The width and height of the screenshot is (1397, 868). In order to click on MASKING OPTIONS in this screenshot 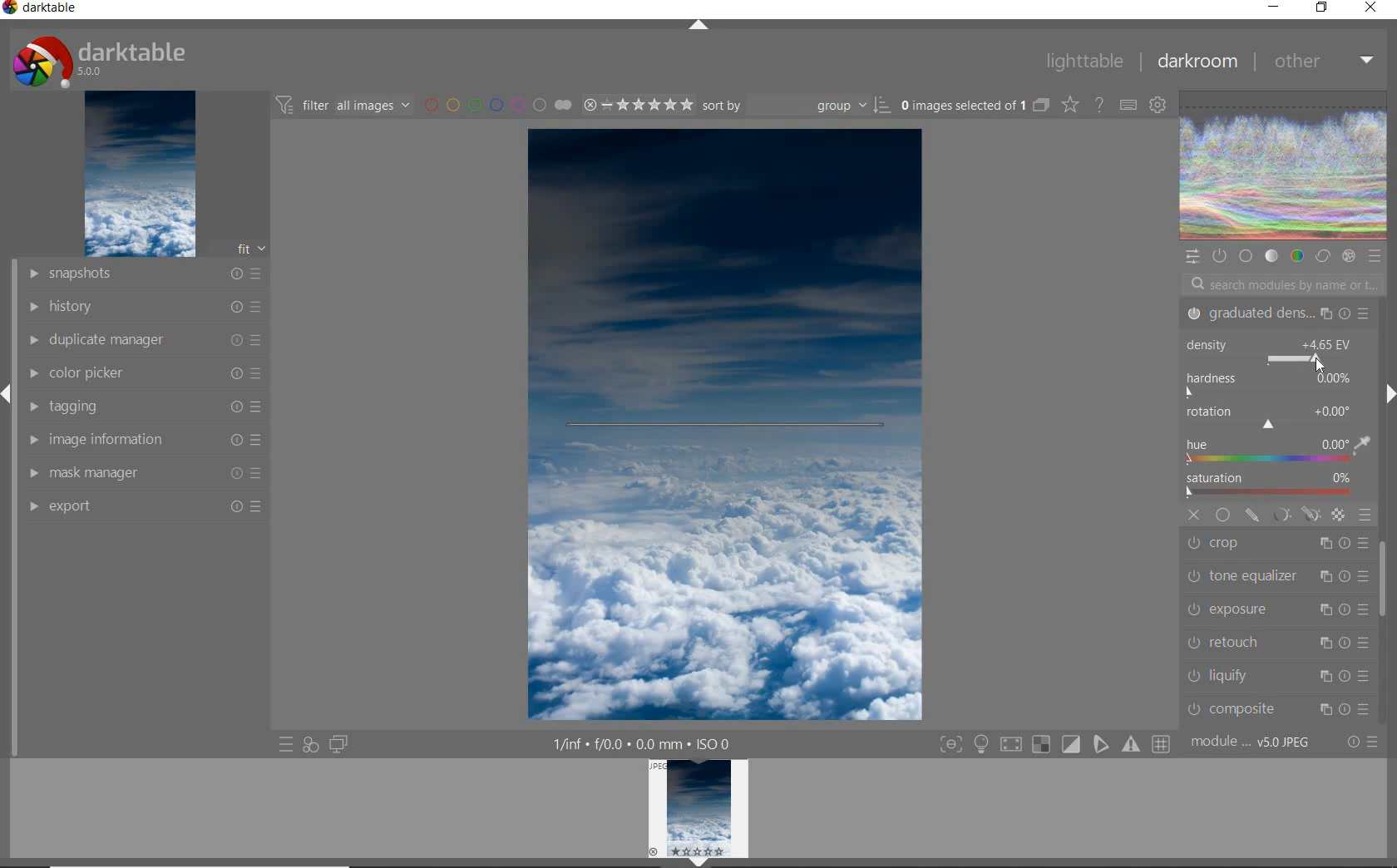, I will do `click(1295, 515)`.